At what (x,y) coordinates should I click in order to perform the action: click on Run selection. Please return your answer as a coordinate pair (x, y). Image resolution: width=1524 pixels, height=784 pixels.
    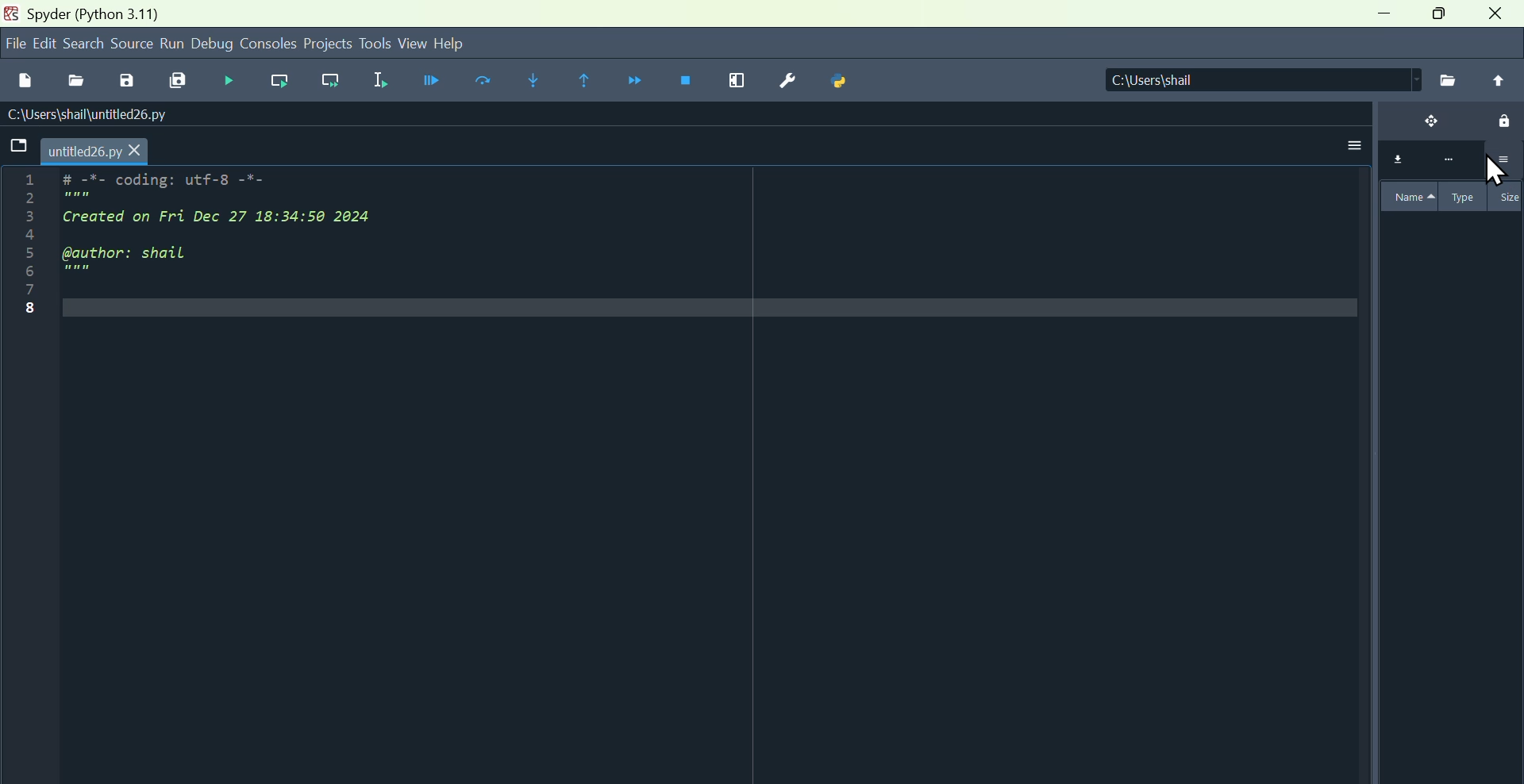
    Looking at the image, I should click on (381, 79).